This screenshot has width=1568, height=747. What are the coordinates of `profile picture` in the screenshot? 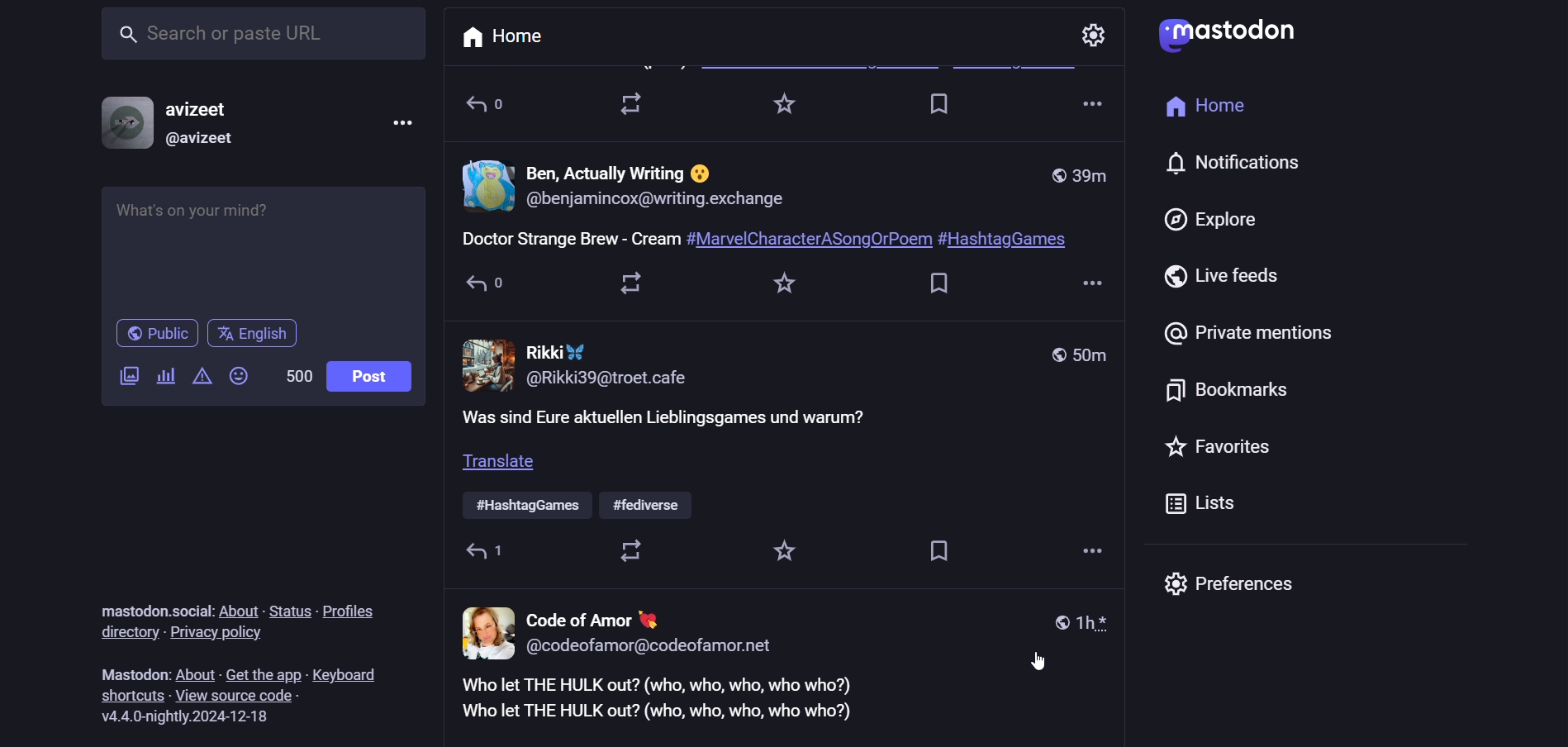 It's located at (118, 124).